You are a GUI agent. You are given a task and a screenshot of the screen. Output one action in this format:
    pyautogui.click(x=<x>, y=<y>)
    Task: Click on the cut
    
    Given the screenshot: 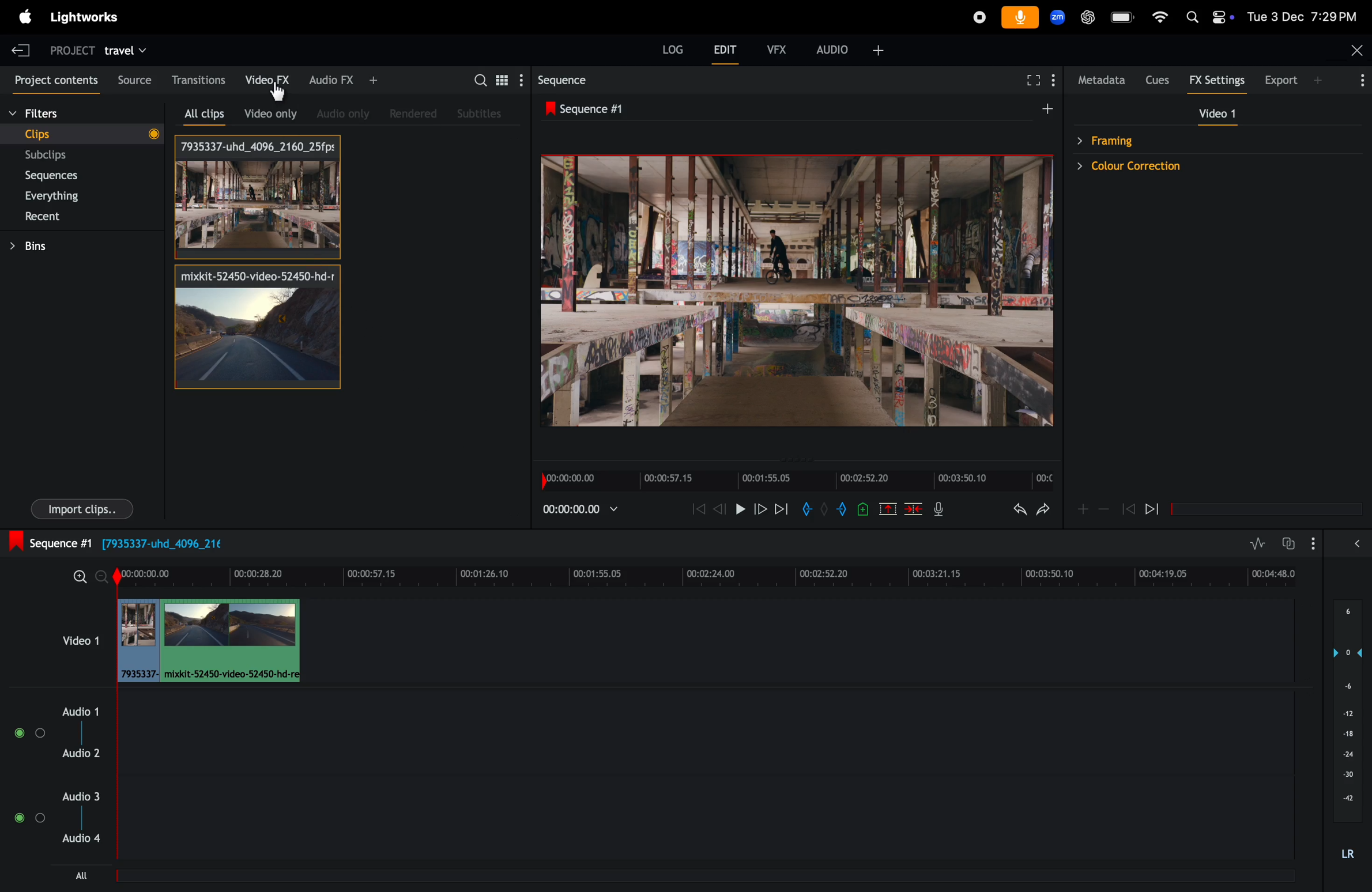 What is the action you would take?
    pyautogui.click(x=885, y=508)
    